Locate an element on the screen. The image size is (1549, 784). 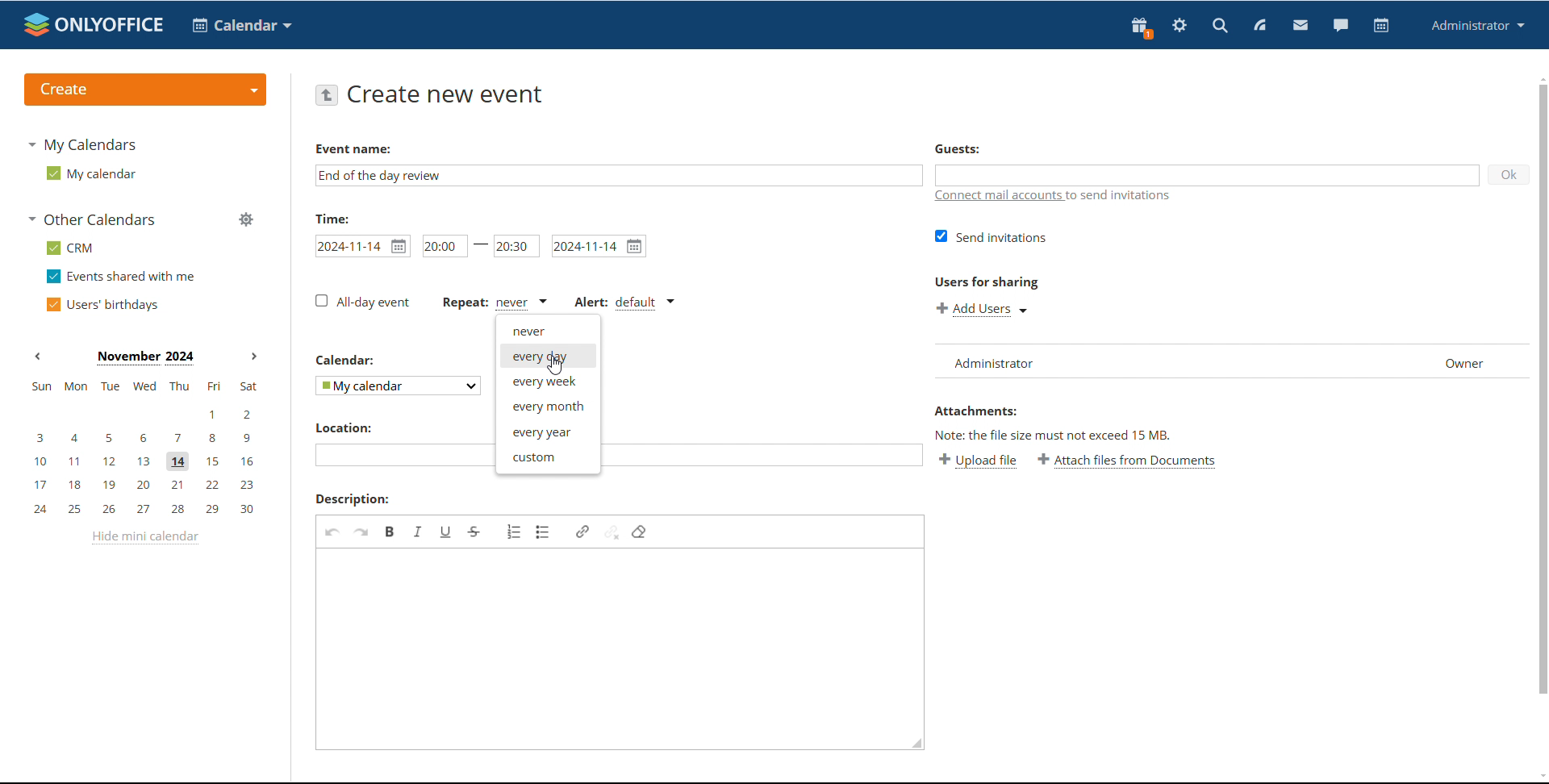
add guests is located at coordinates (1205, 174).